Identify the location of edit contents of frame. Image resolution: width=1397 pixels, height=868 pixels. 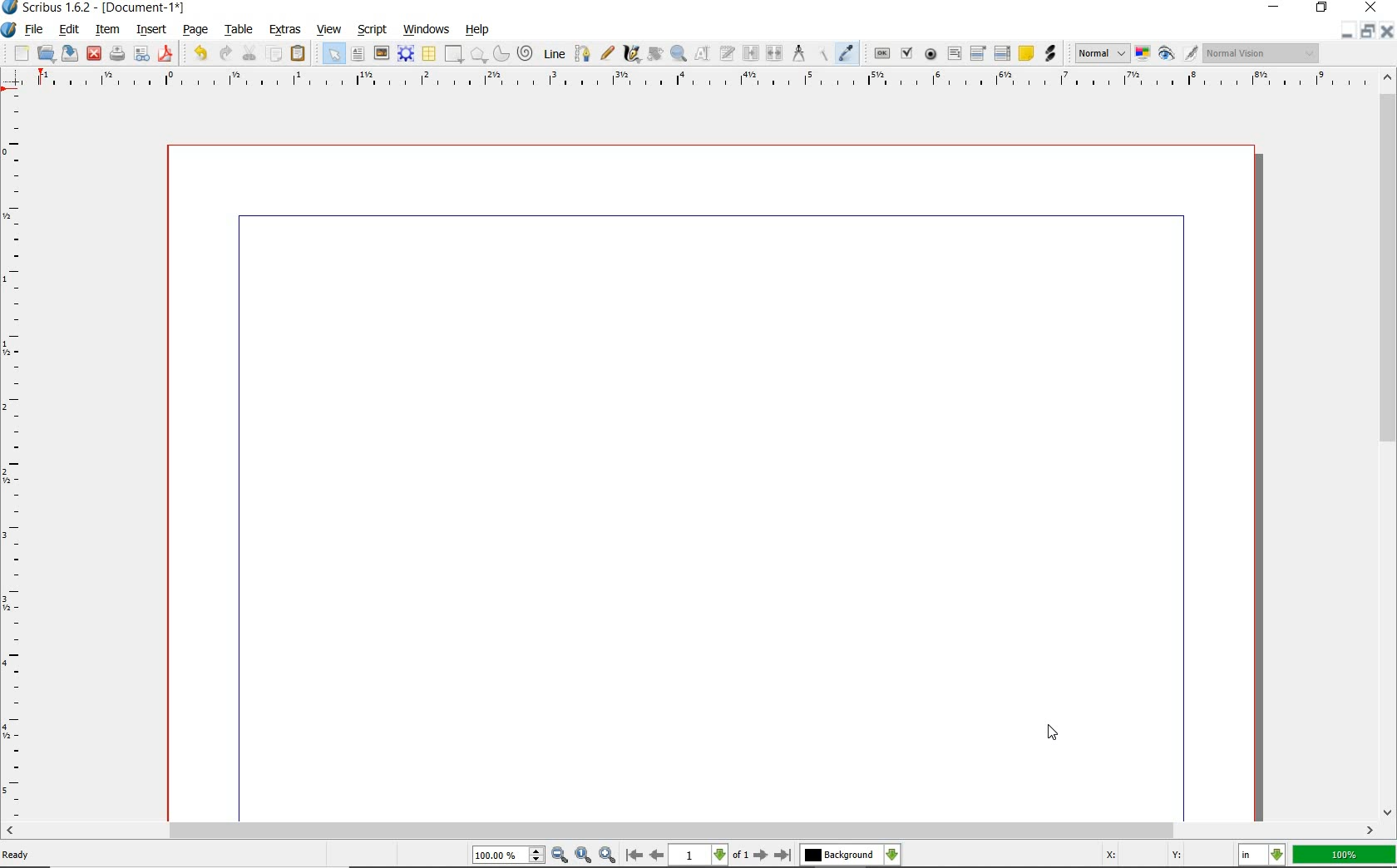
(703, 53).